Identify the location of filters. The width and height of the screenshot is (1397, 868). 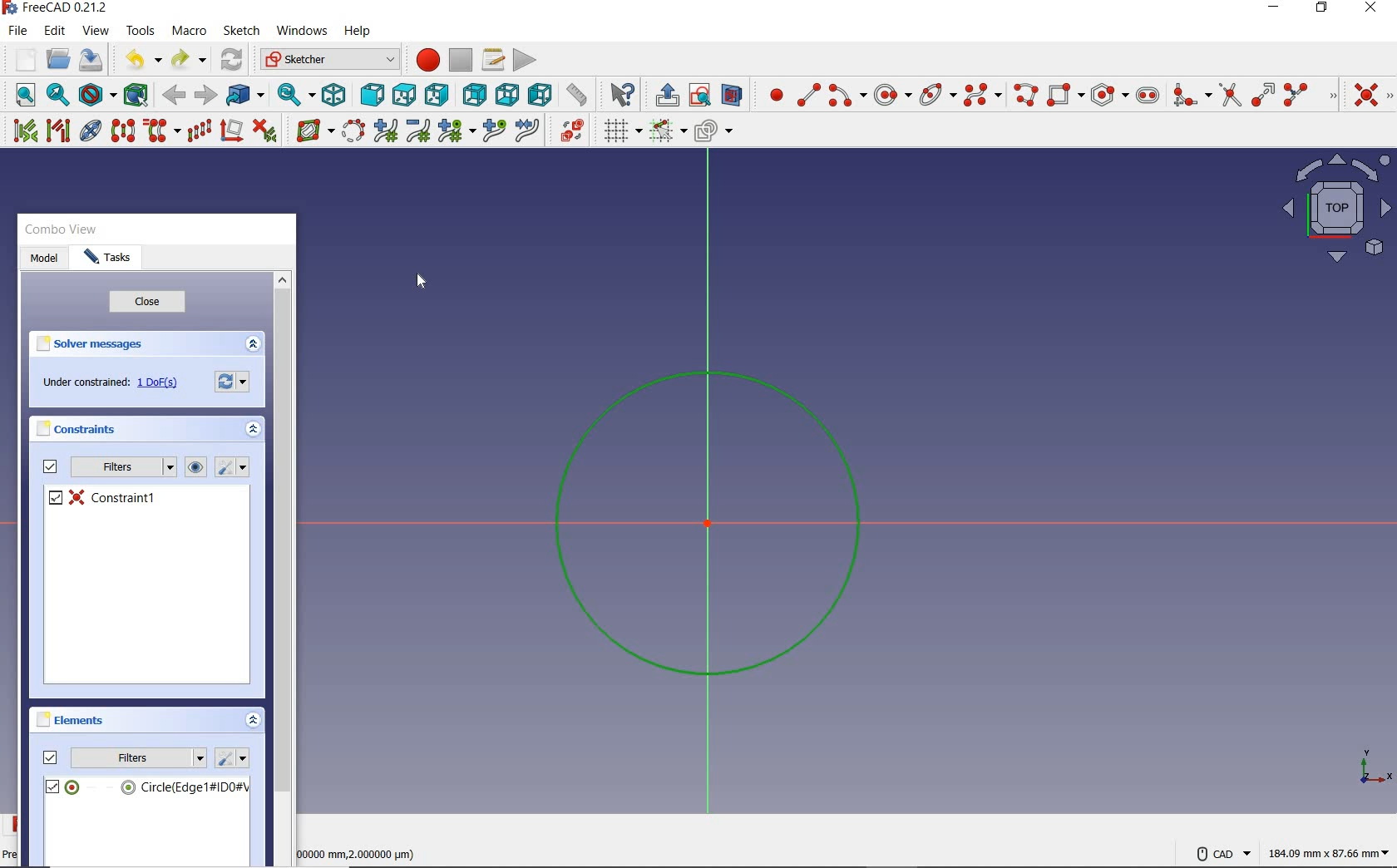
(108, 469).